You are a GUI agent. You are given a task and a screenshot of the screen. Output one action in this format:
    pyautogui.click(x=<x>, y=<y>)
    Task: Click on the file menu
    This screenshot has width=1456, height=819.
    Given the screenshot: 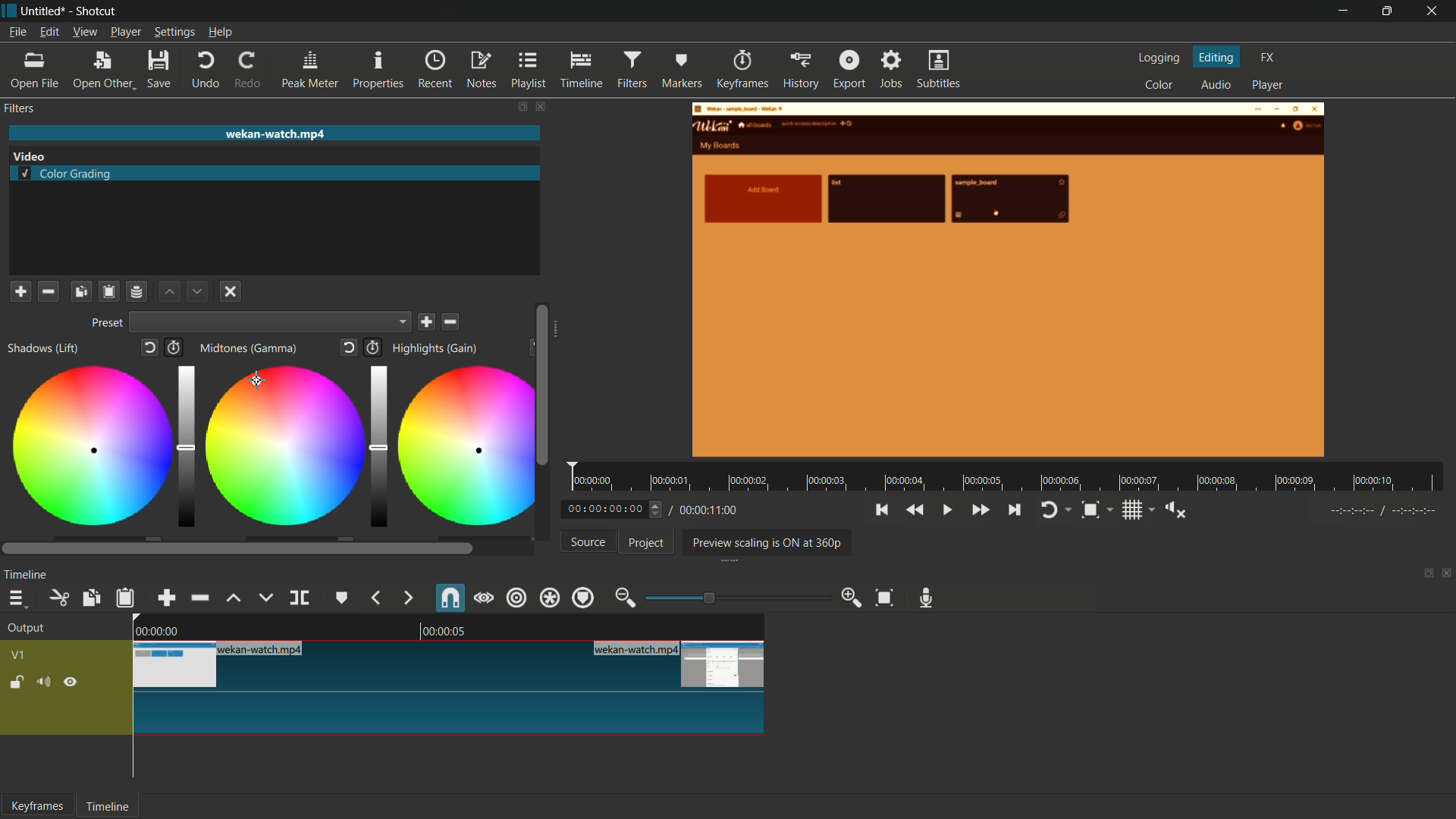 What is the action you would take?
    pyautogui.click(x=17, y=32)
    